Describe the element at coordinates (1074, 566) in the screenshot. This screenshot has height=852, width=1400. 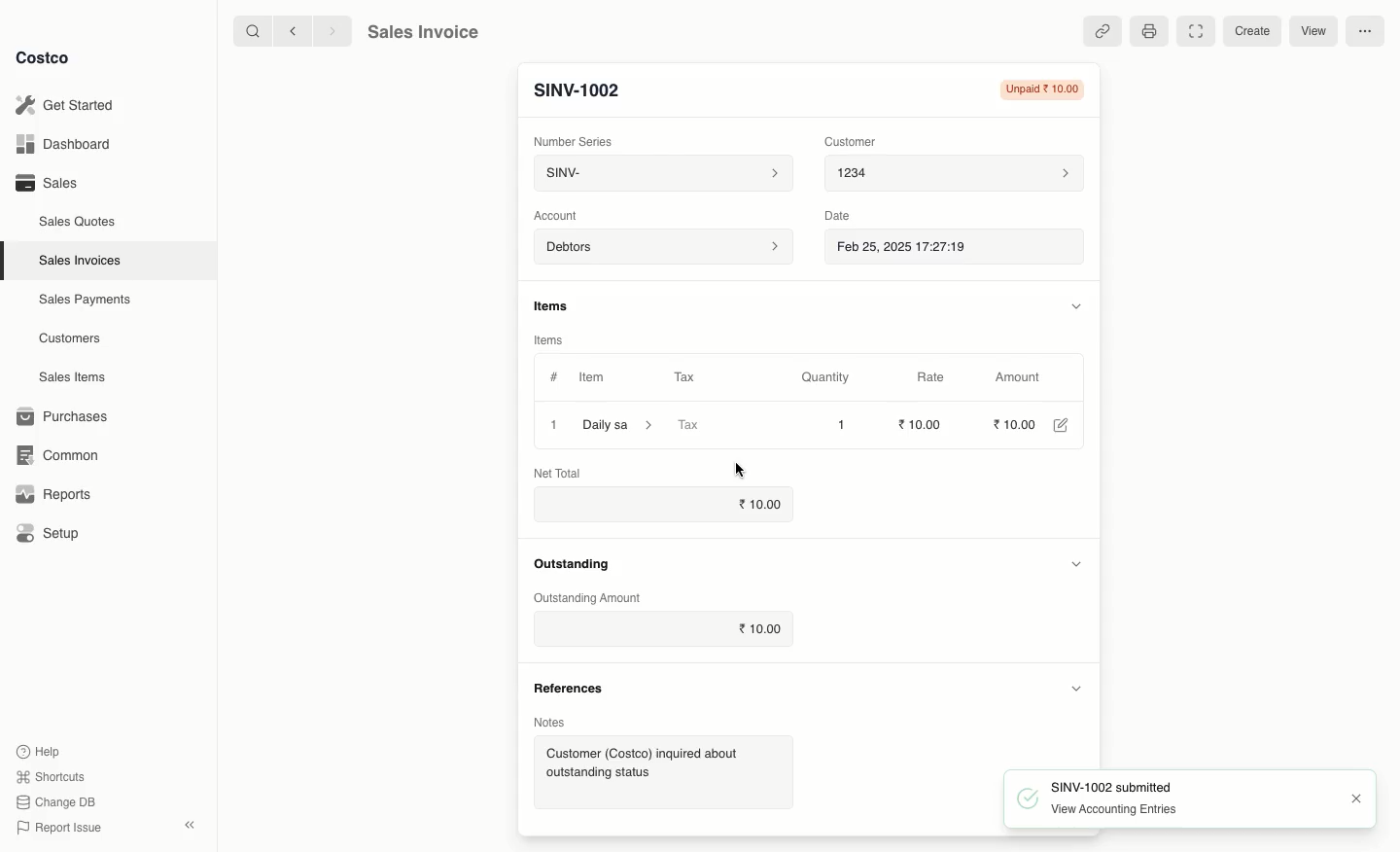
I see `Hide` at that location.